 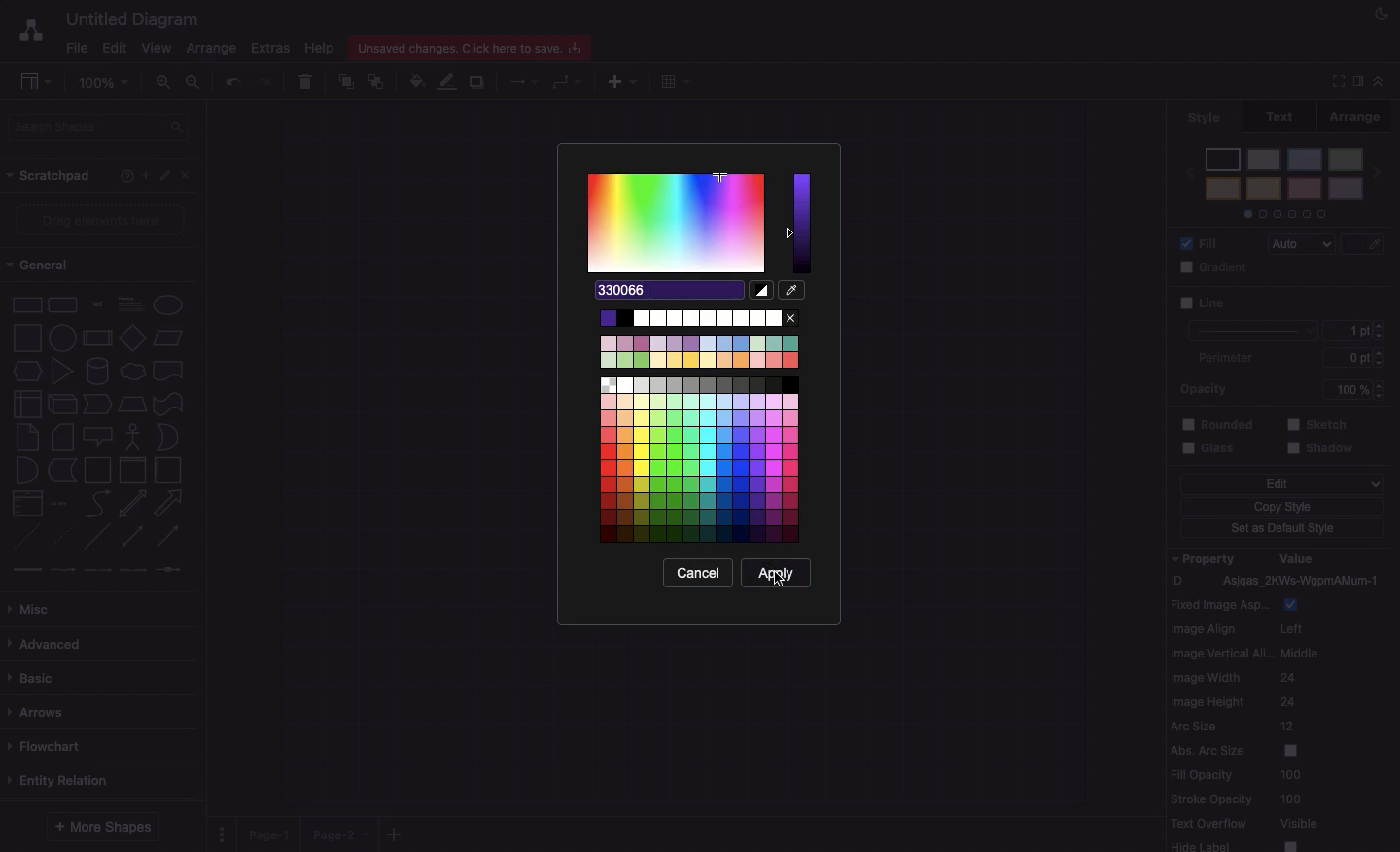 What do you see at coordinates (96, 469) in the screenshot?
I see `container` at bounding box center [96, 469].